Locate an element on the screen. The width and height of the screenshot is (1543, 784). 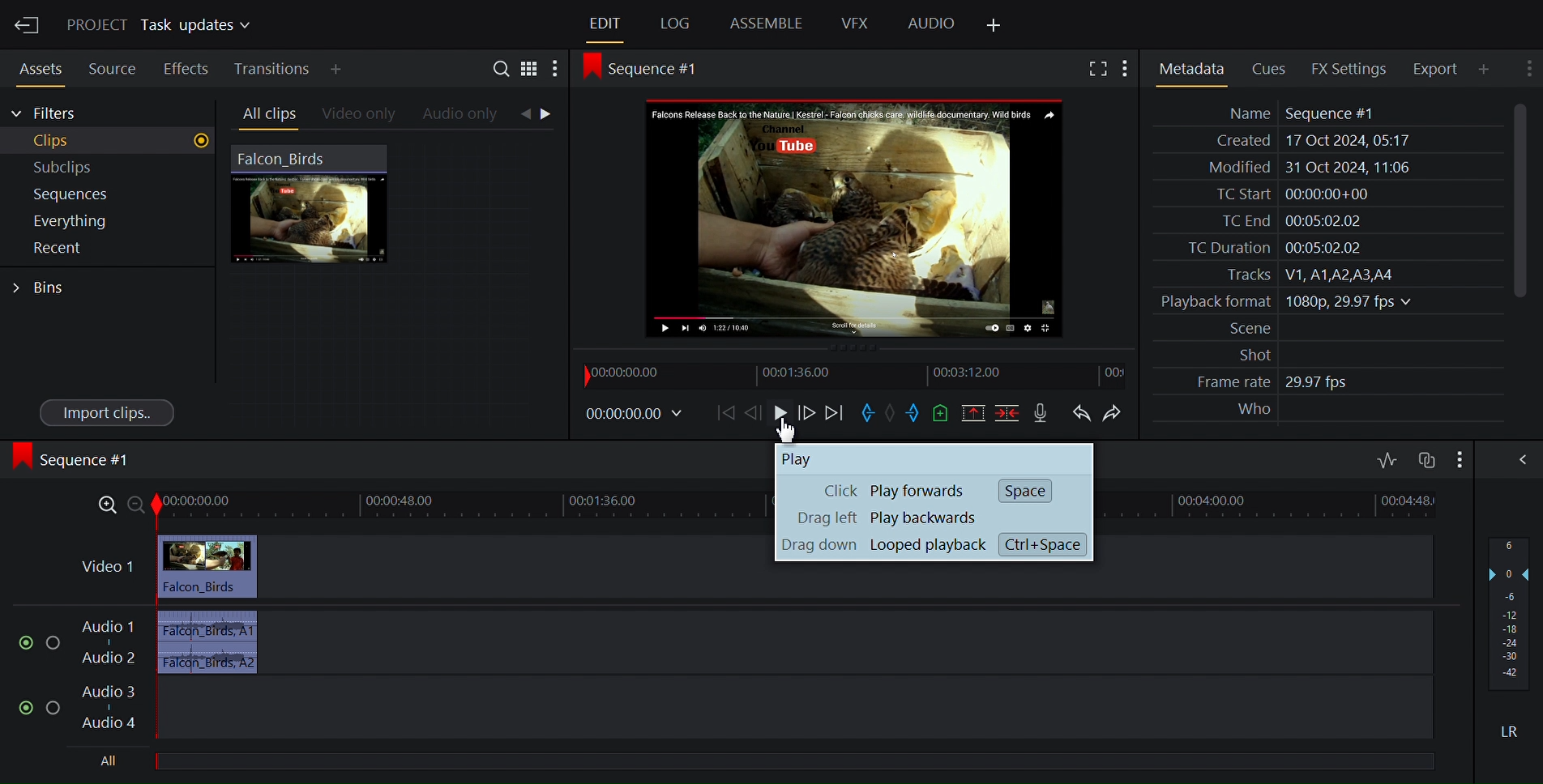
Record voice over is located at coordinates (1043, 413).